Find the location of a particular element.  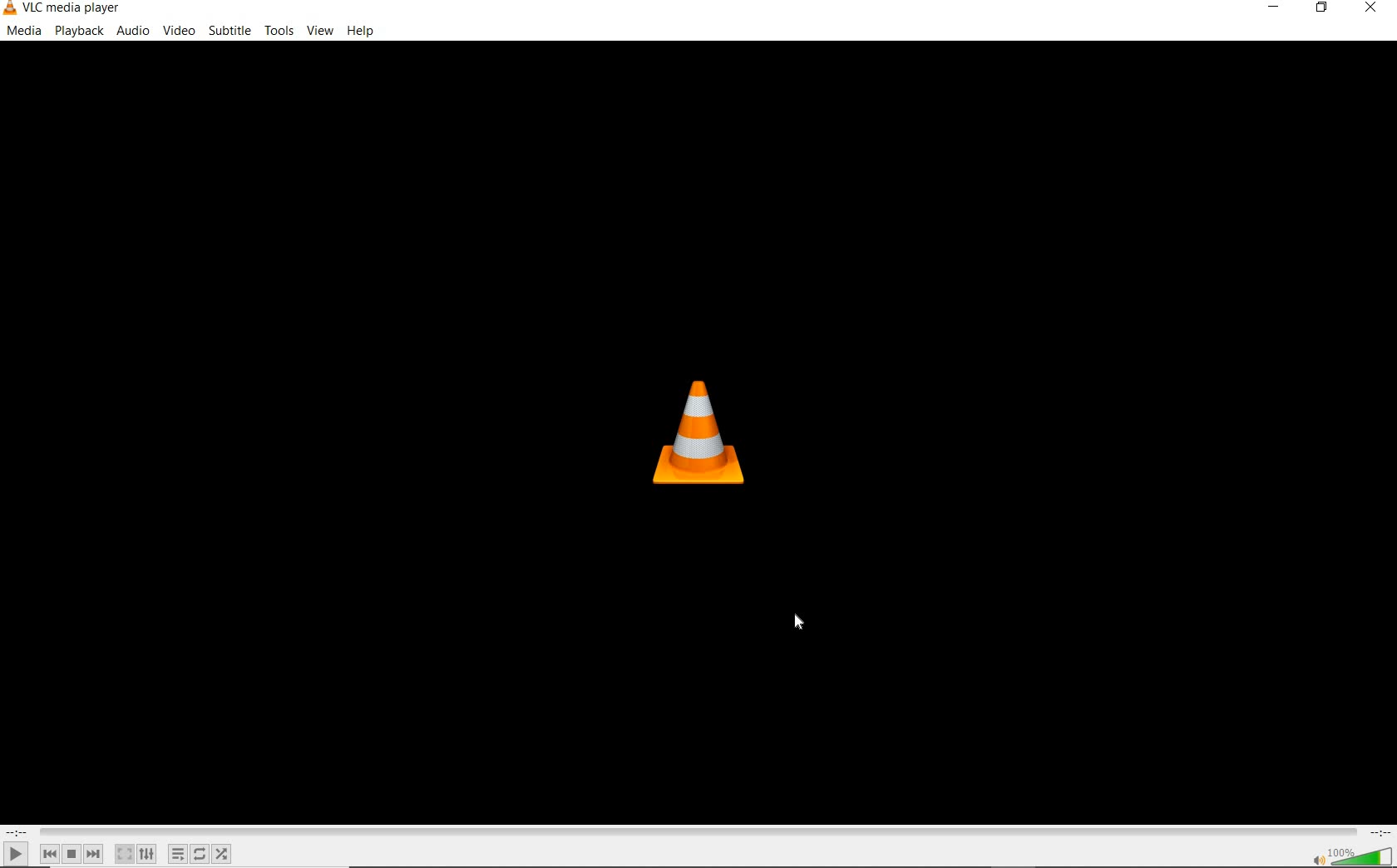

subtitle is located at coordinates (230, 31).